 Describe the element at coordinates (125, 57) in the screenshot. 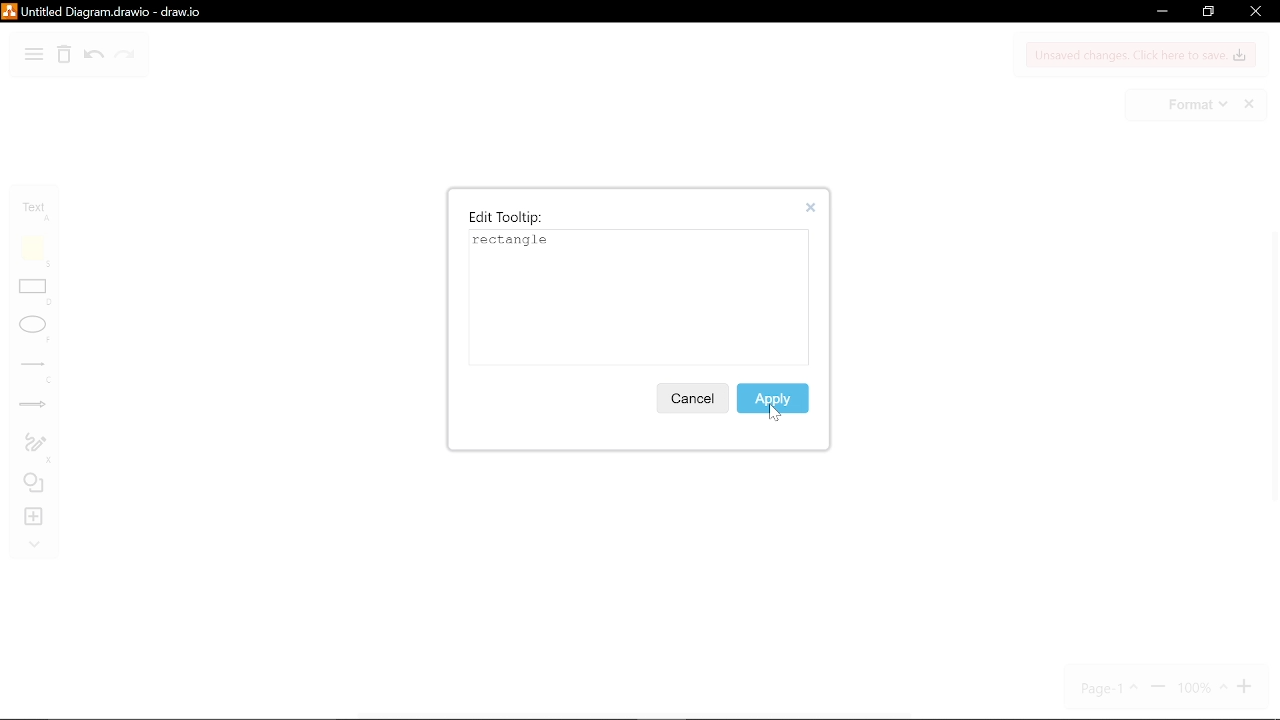

I see `redo` at that location.